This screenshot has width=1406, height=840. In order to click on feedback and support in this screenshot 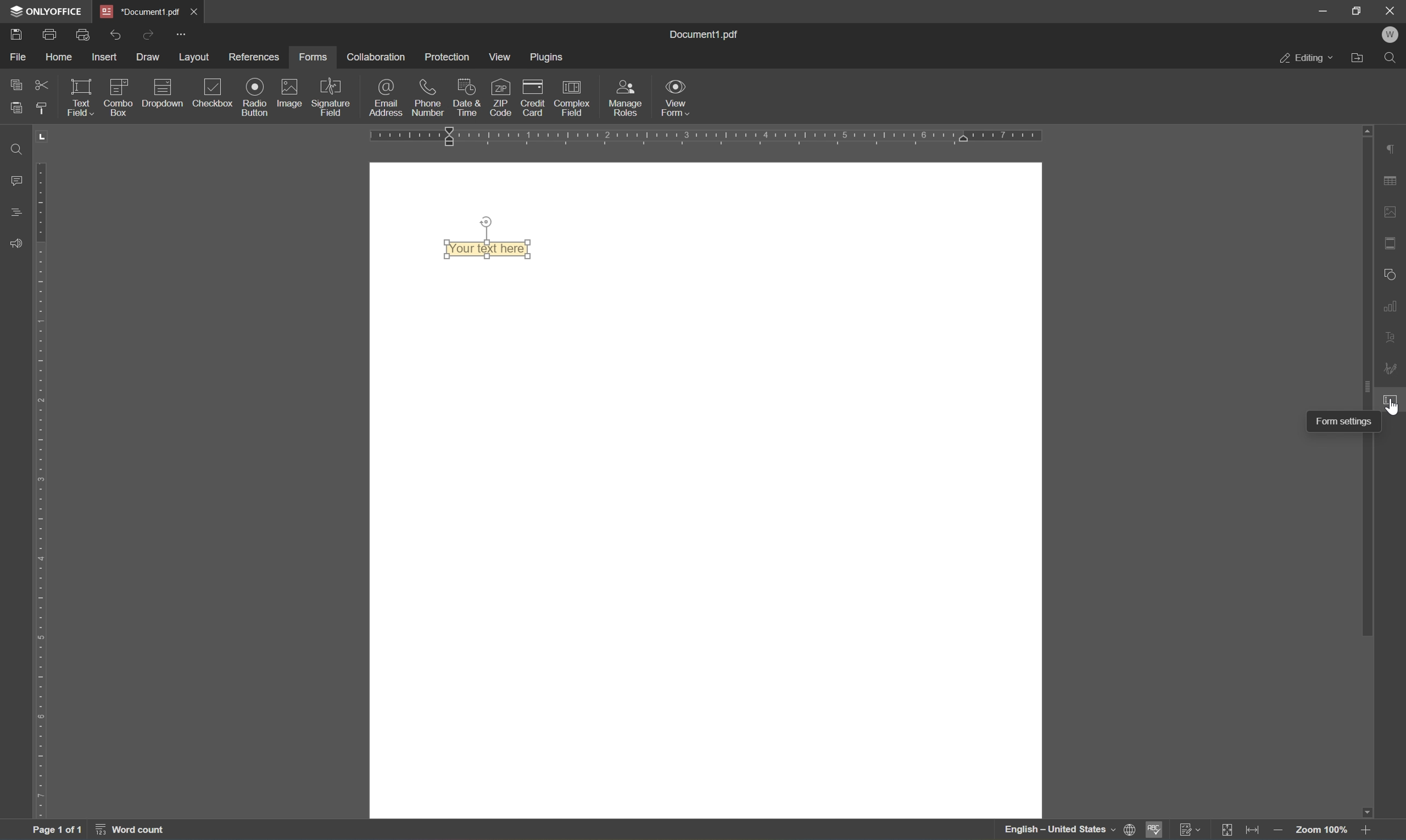, I will do `click(15, 244)`.